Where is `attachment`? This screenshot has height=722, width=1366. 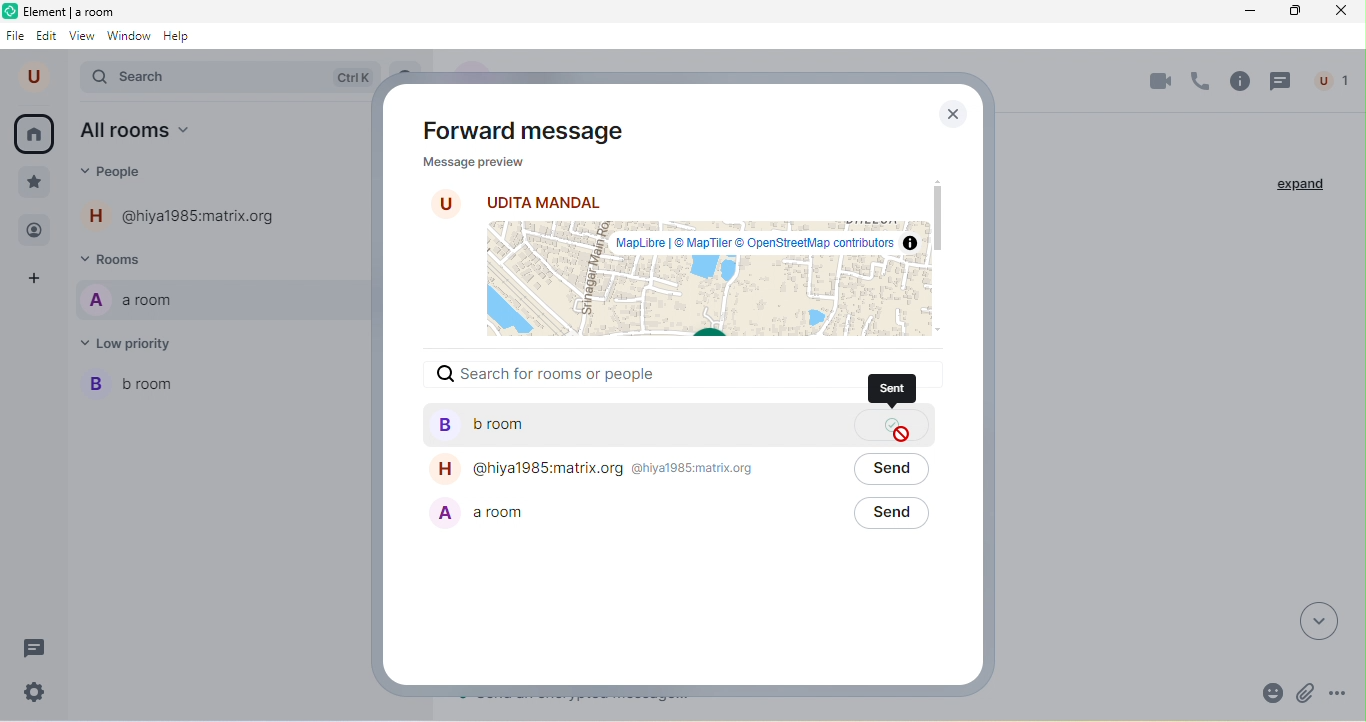 attachment is located at coordinates (1308, 693).